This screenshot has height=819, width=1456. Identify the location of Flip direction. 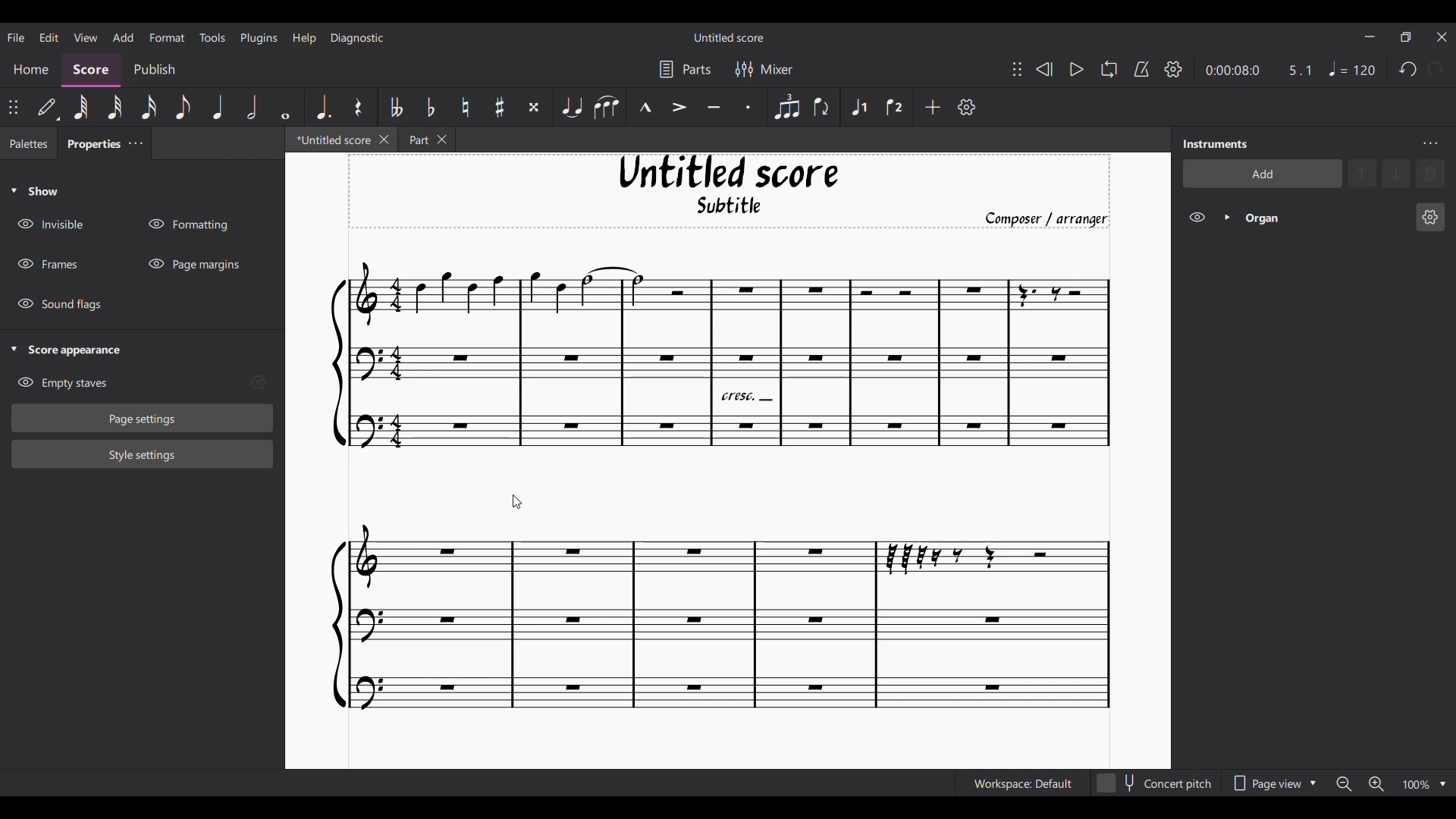
(823, 107).